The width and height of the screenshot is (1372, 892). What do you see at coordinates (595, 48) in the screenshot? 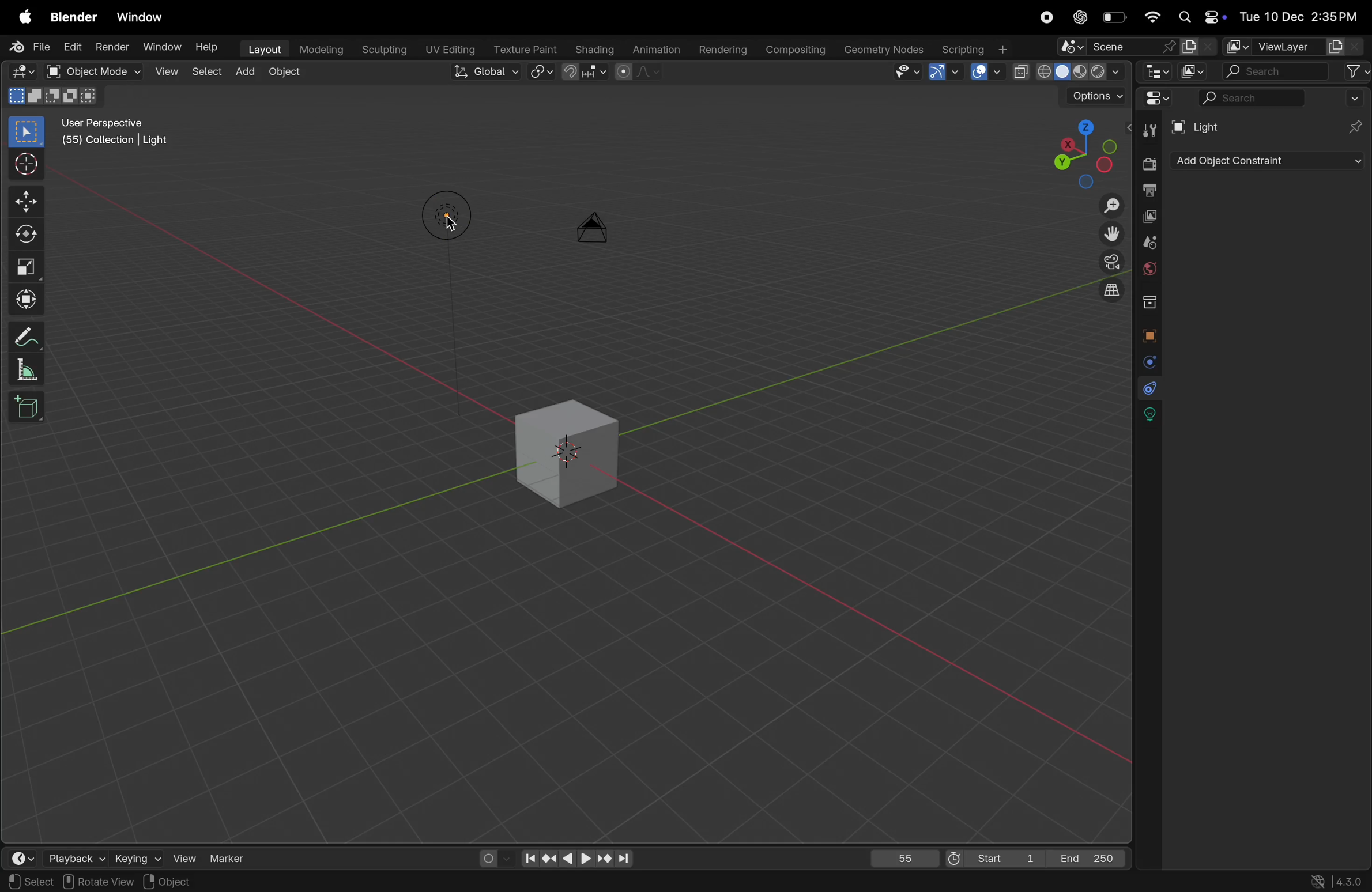
I see `shading` at bounding box center [595, 48].